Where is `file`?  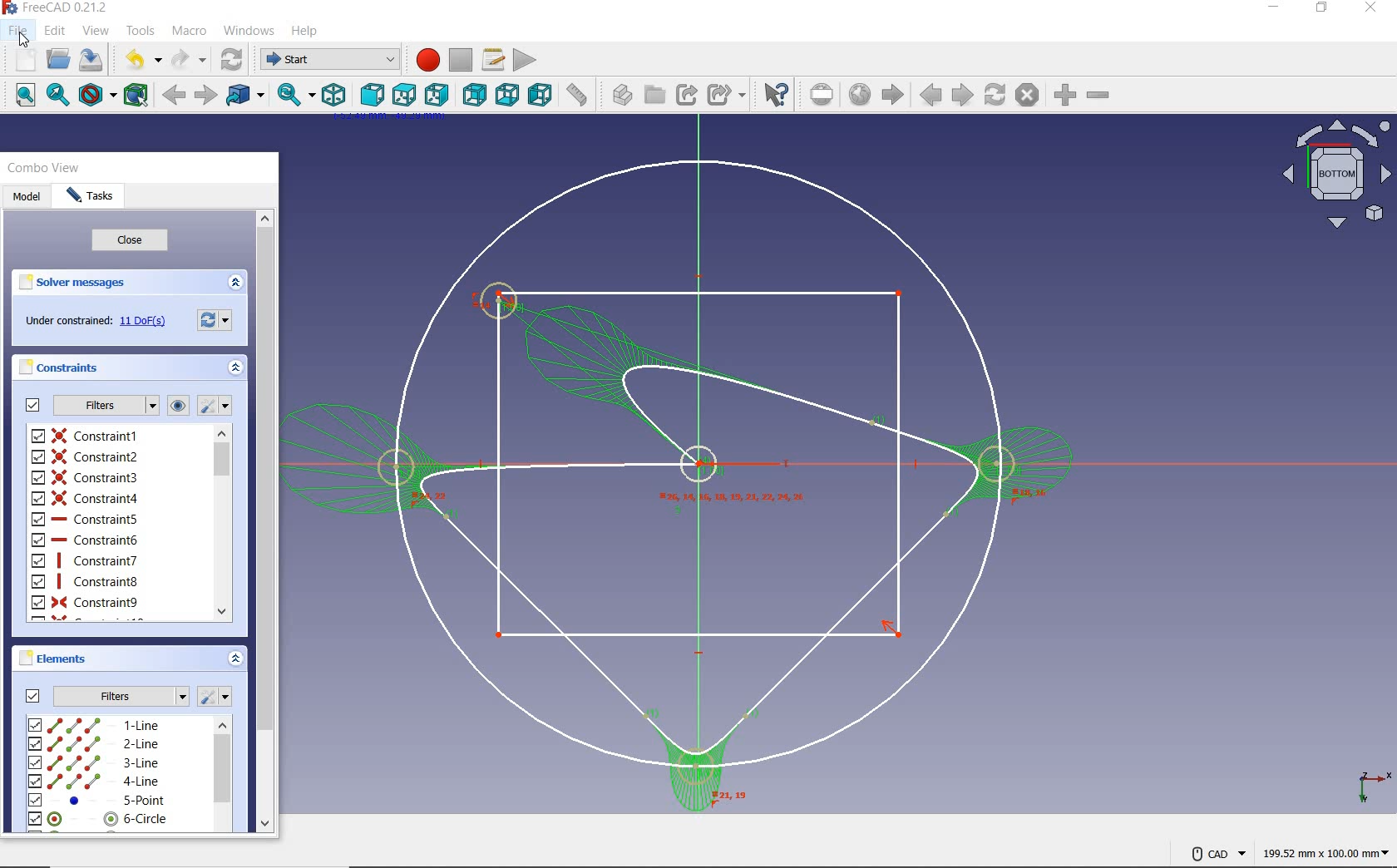 file is located at coordinates (18, 30).